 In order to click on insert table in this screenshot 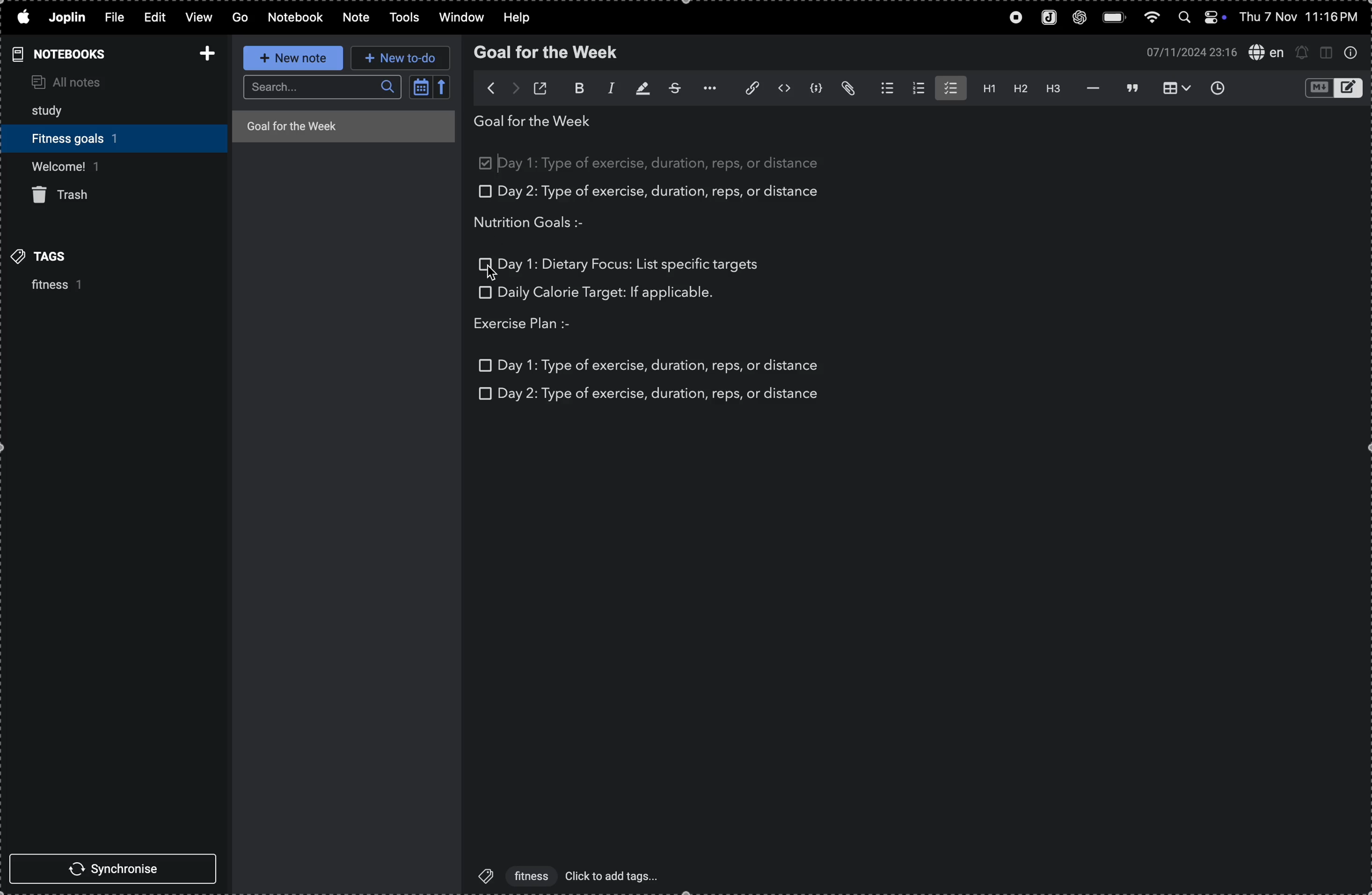, I will do `click(1178, 88)`.